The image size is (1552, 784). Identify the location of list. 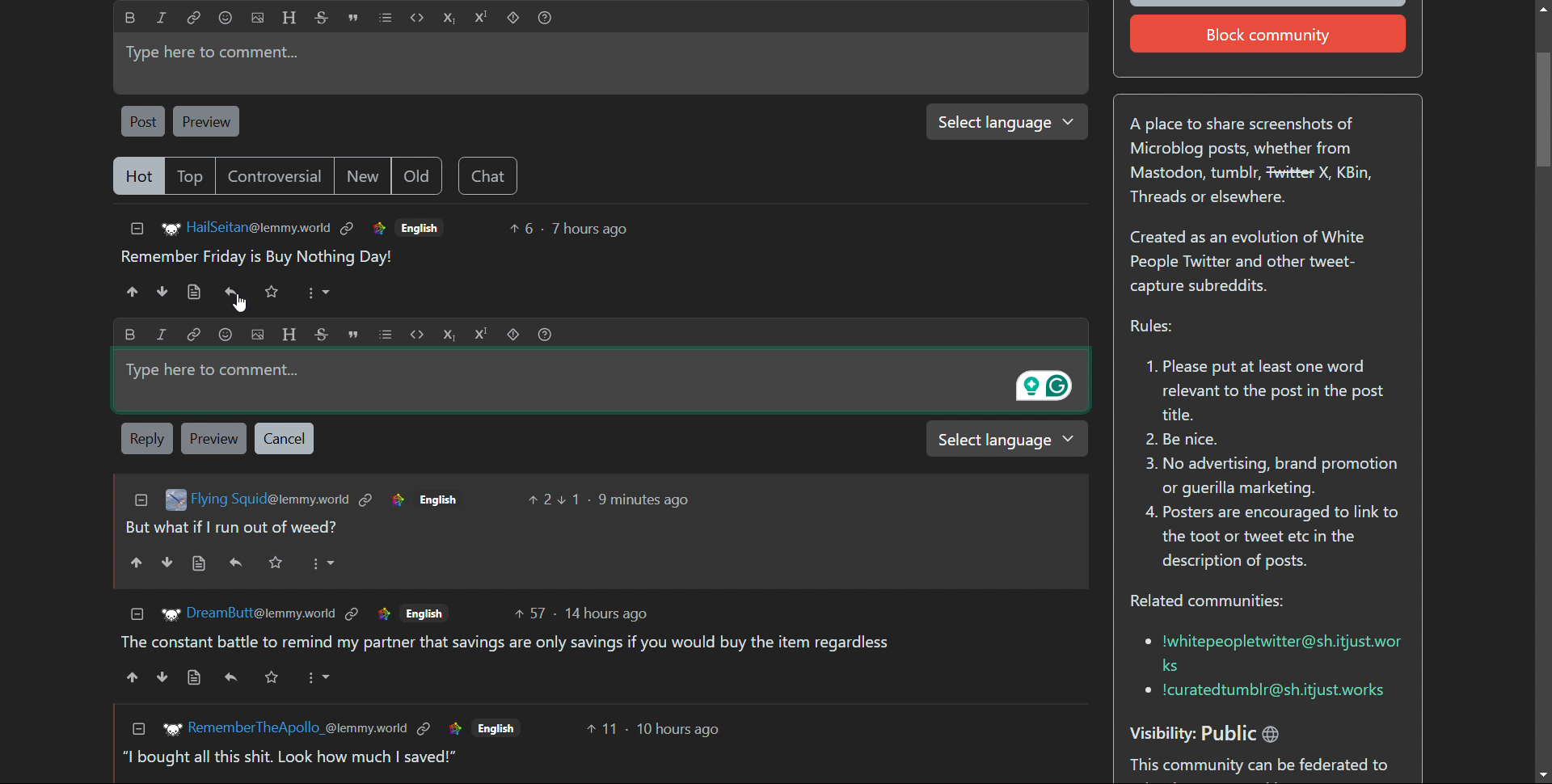
(386, 18).